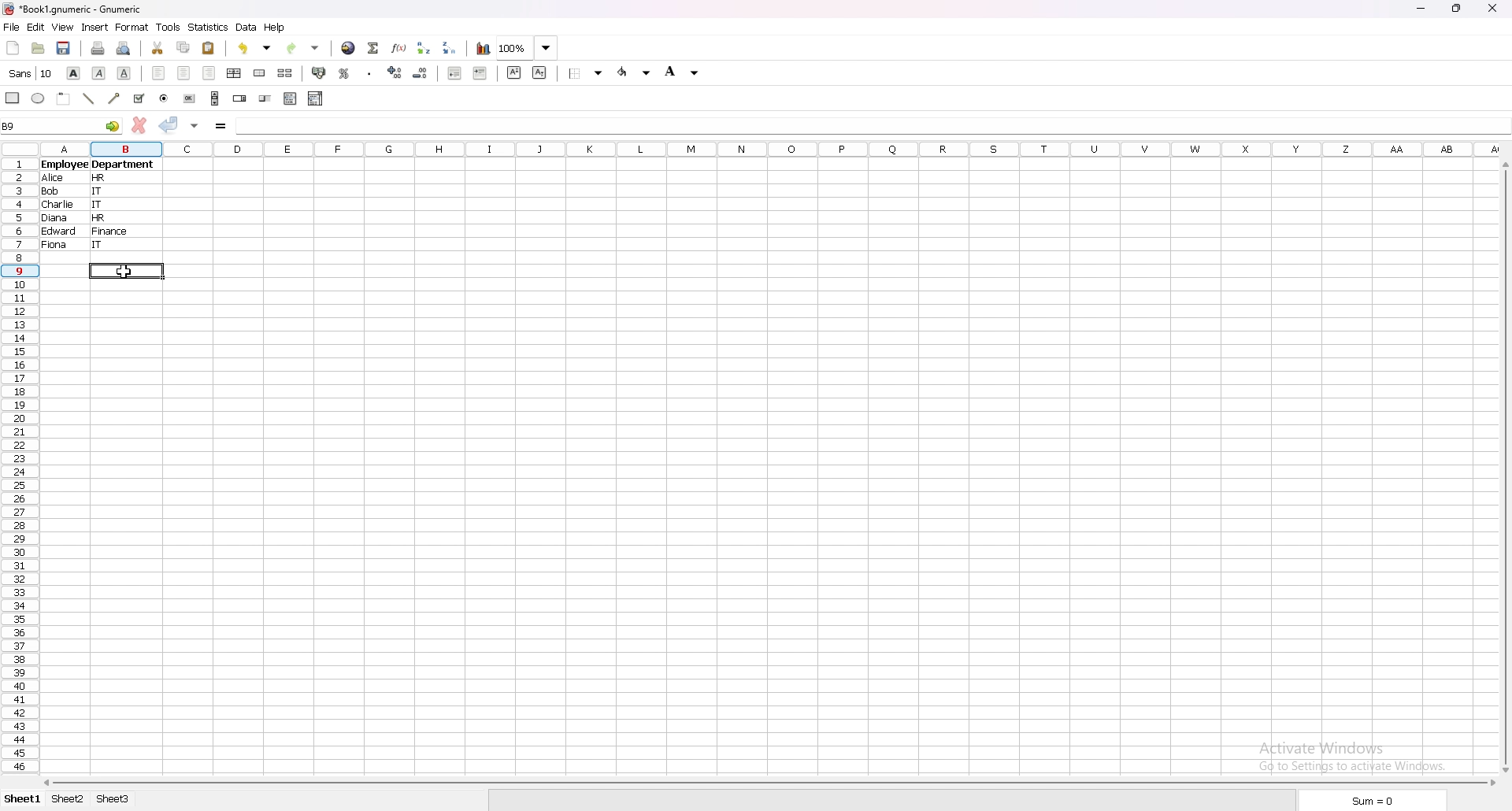  Describe the element at coordinates (62, 126) in the screenshot. I see `selected cell` at that location.